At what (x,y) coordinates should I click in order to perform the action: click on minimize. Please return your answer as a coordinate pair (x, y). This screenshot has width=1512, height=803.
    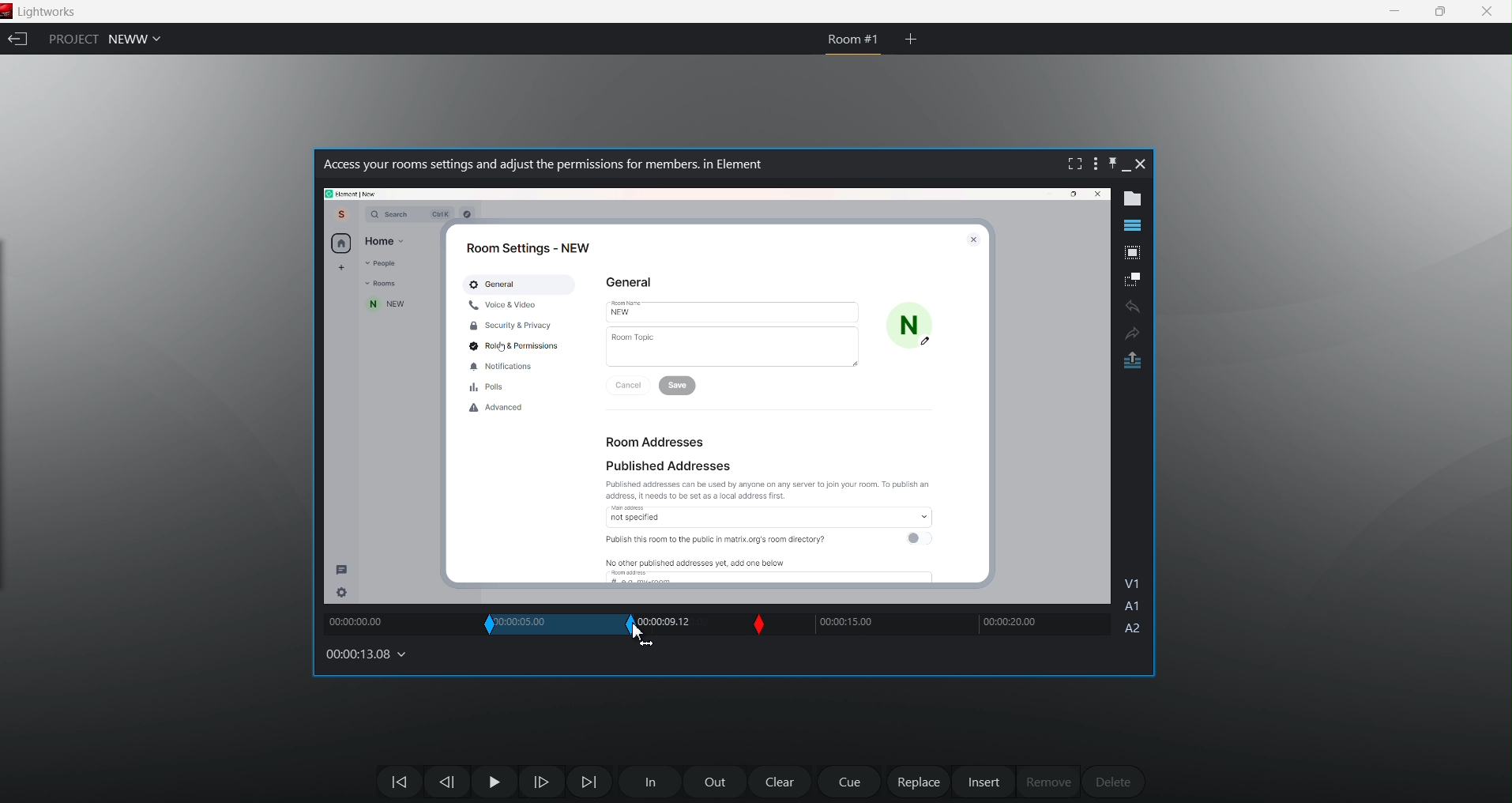
    Looking at the image, I should click on (1130, 164).